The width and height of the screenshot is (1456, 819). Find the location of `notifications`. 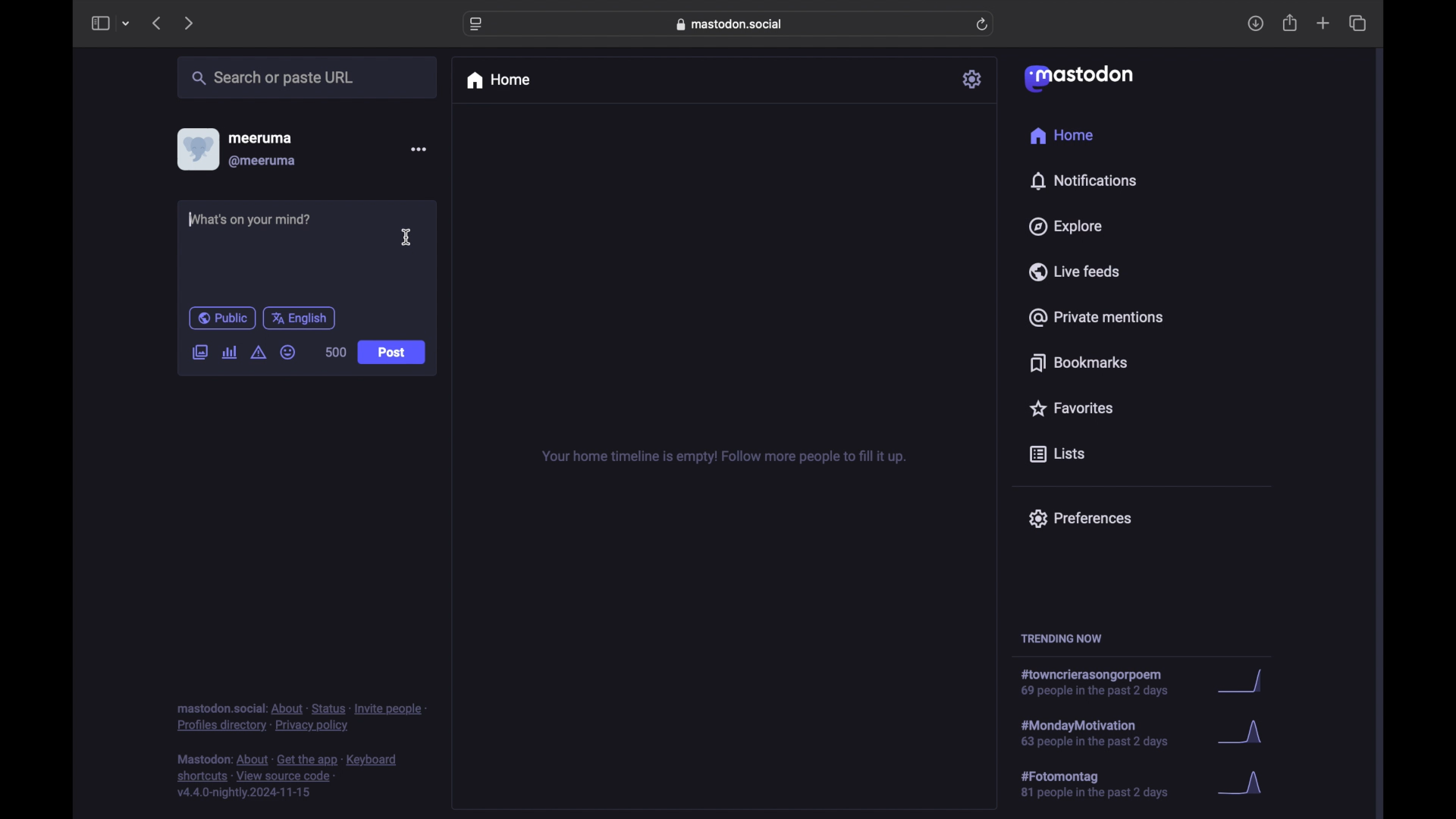

notifications is located at coordinates (1083, 180).